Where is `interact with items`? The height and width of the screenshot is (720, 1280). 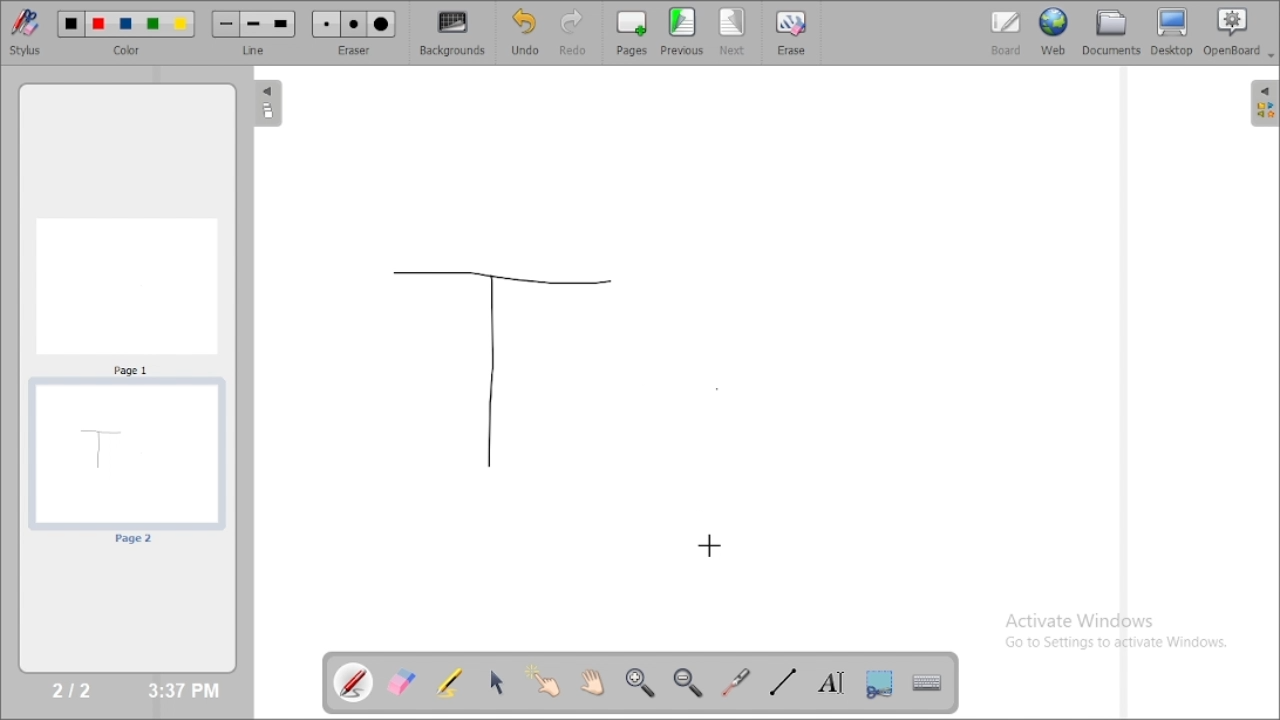
interact with items is located at coordinates (545, 681).